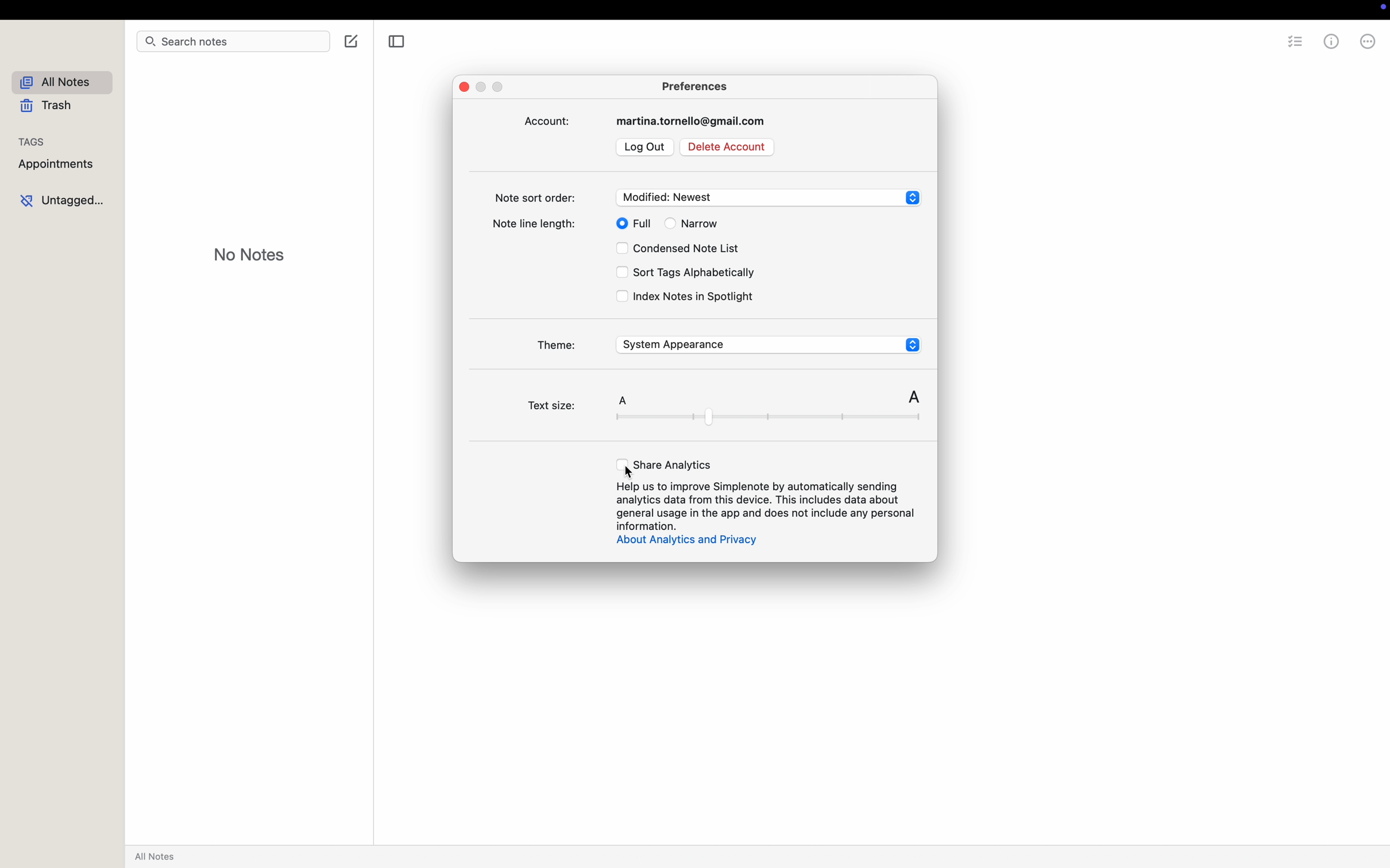  I want to click on sort tags alphabetically, so click(688, 273).